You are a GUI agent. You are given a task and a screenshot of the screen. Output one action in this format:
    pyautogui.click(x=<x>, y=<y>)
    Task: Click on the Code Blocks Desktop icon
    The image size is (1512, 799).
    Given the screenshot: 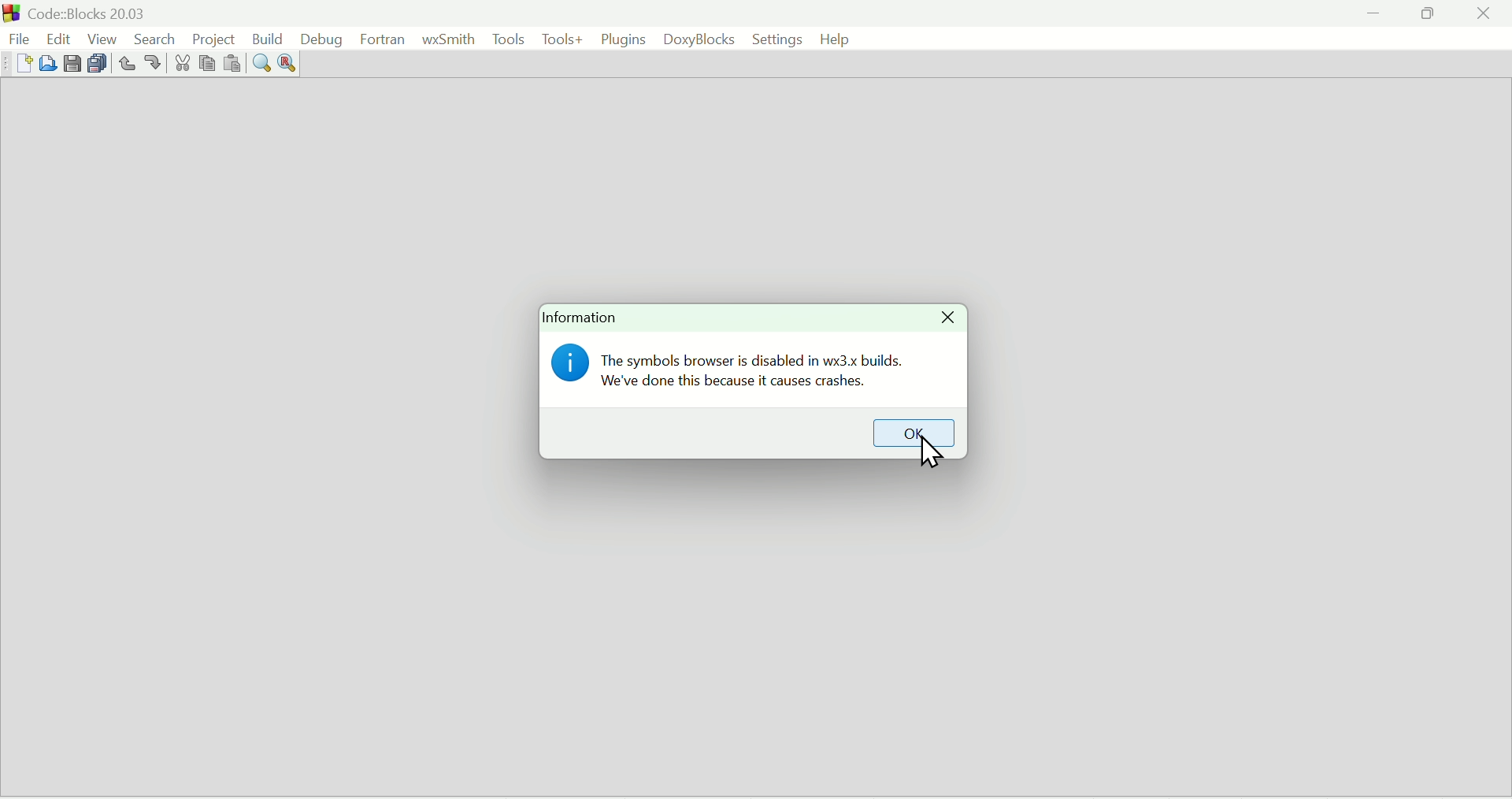 What is the action you would take?
    pyautogui.click(x=13, y=12)
    